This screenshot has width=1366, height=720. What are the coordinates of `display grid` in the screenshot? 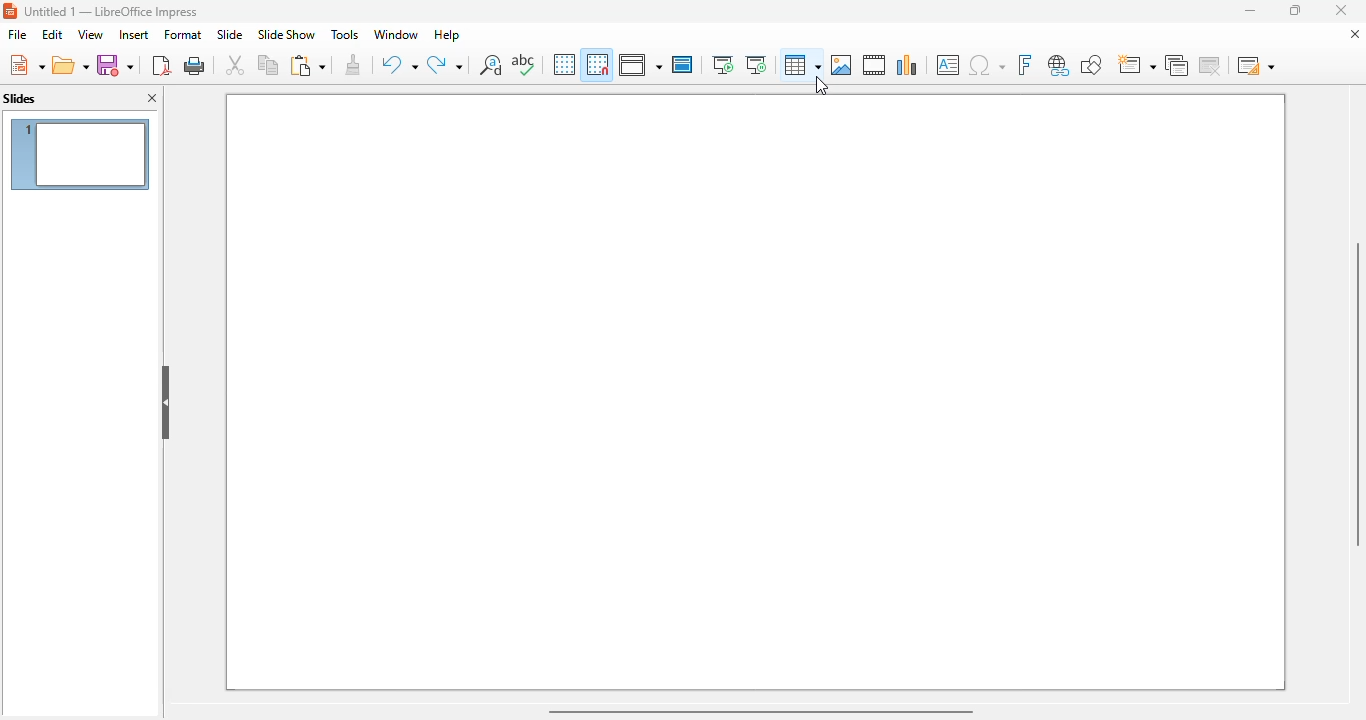 It's located at (564, 64).